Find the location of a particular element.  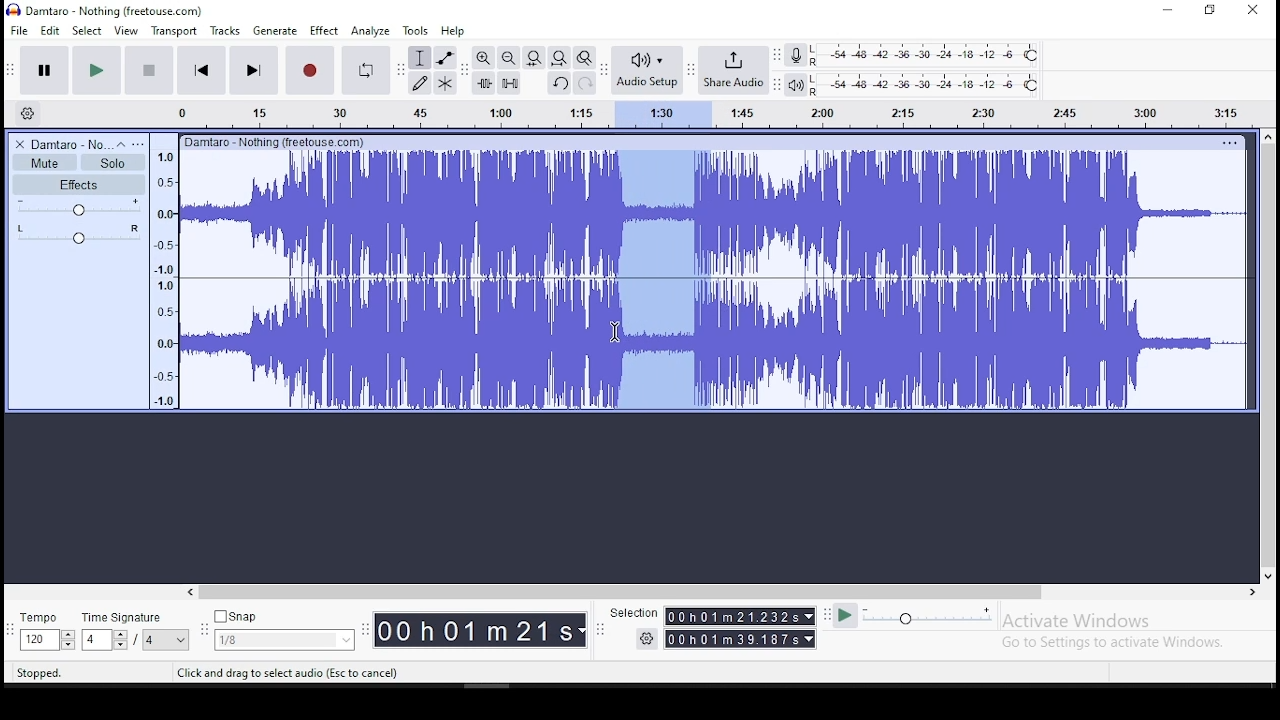

horizontal scroll bar is located at coordinates (720, 592).